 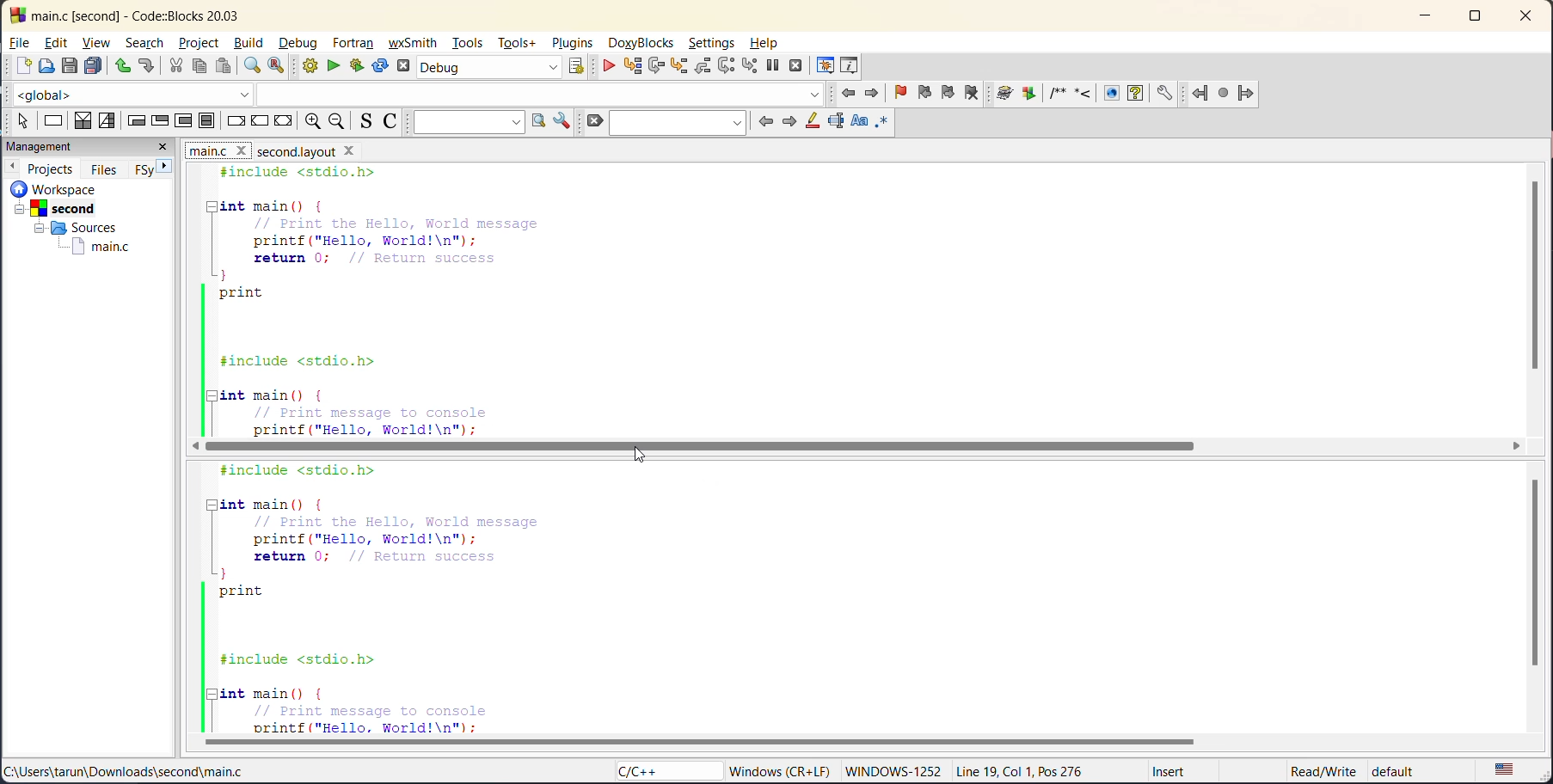 I want to click on FSy, so click(x=141, y=169).